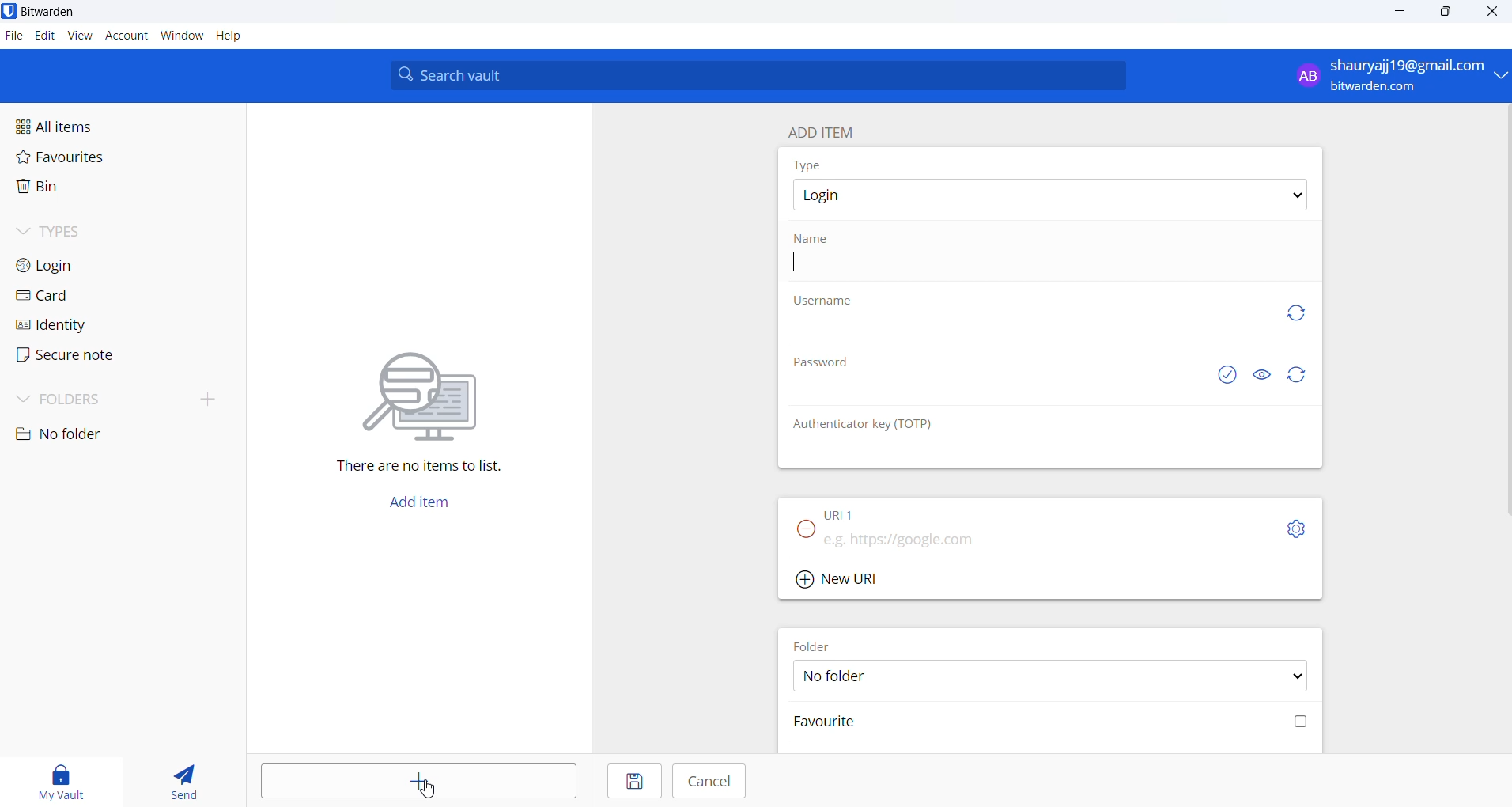 Image resolution: width=1512 pixels, height=807 pixels. Describe the element at coordinates (185, 783) in the screenshot. I see `send` at that location.